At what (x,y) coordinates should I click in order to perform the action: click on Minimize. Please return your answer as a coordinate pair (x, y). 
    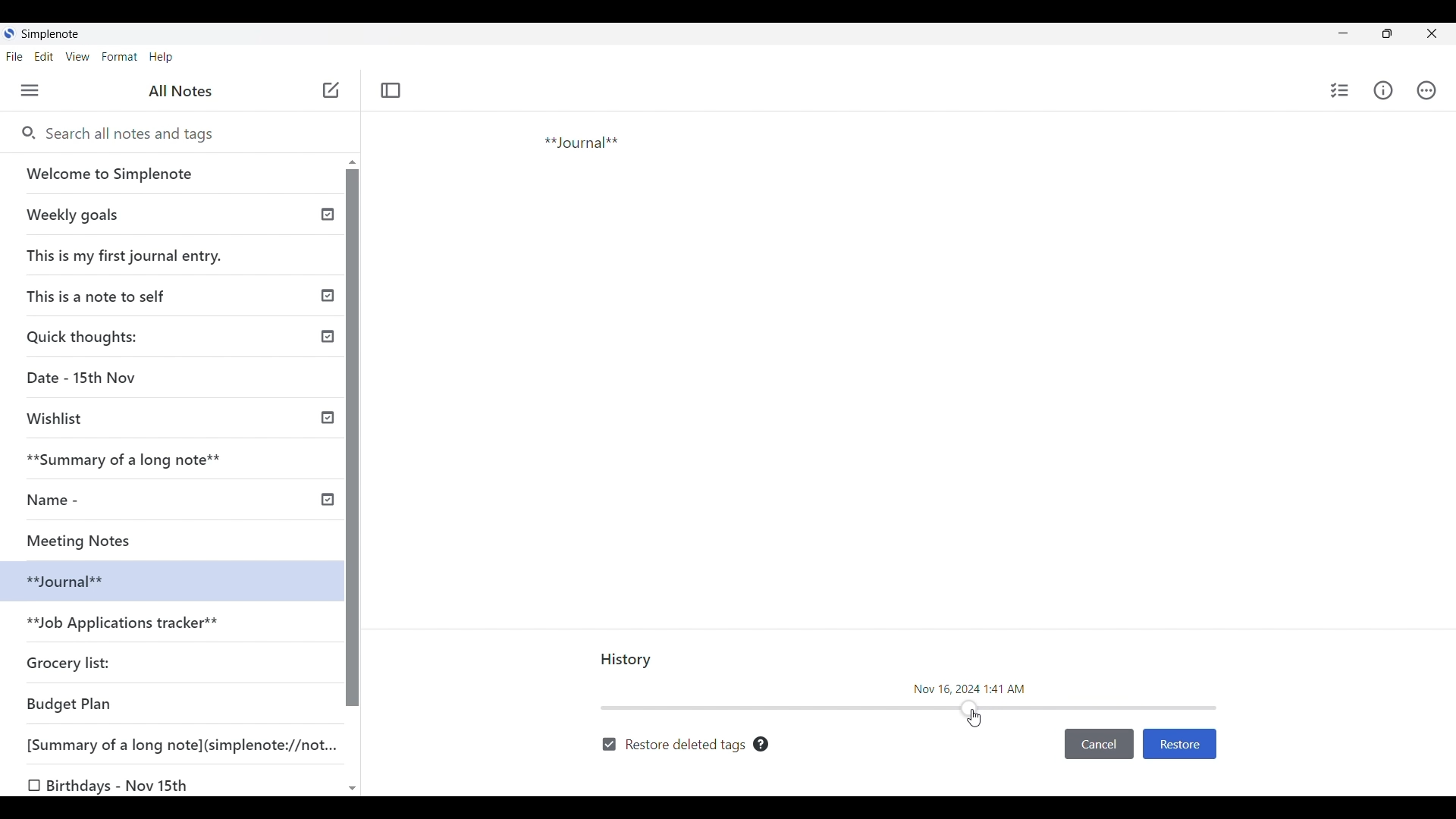
    Looking at the image, I should click on (1343, 33).